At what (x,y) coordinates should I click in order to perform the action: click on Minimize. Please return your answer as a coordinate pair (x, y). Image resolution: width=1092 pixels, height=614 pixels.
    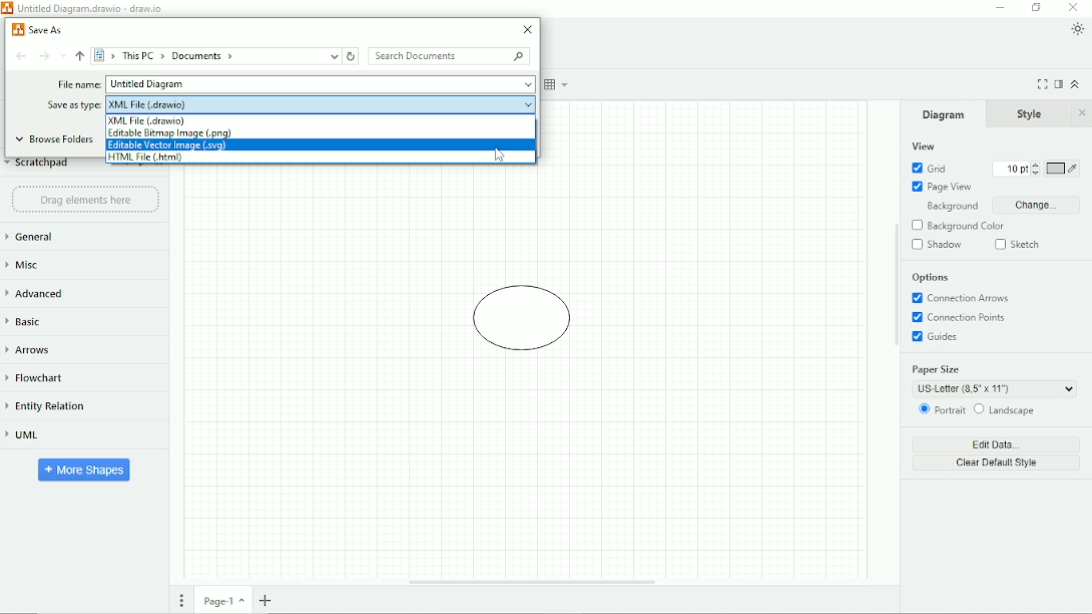
    Looking at the image, I should click on (1001, 7).